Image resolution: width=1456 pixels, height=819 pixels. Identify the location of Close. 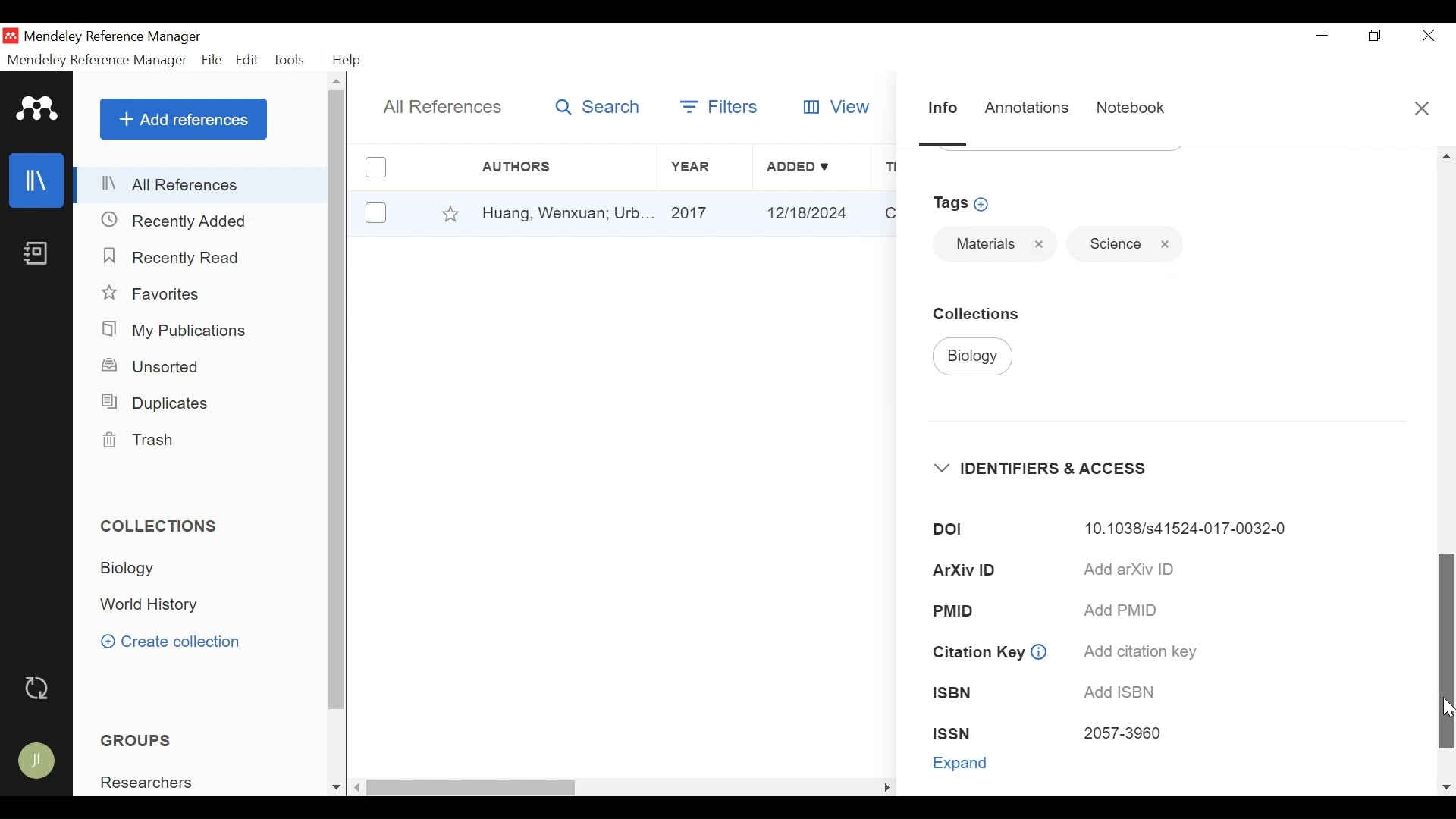
(1420, 107).